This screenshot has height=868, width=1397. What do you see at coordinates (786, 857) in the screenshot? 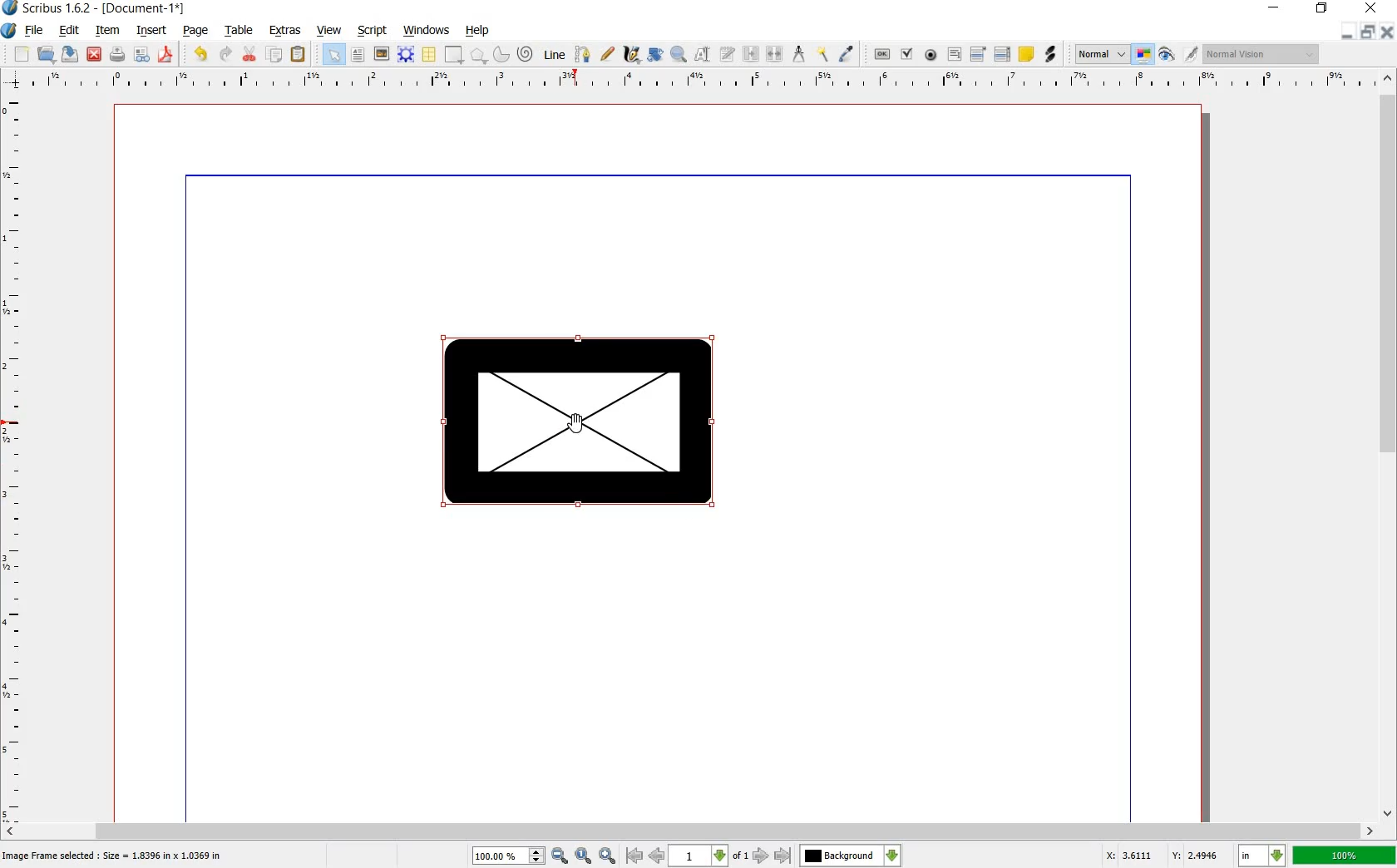
I see `move to over-next page` at bounding box center [786, 857].